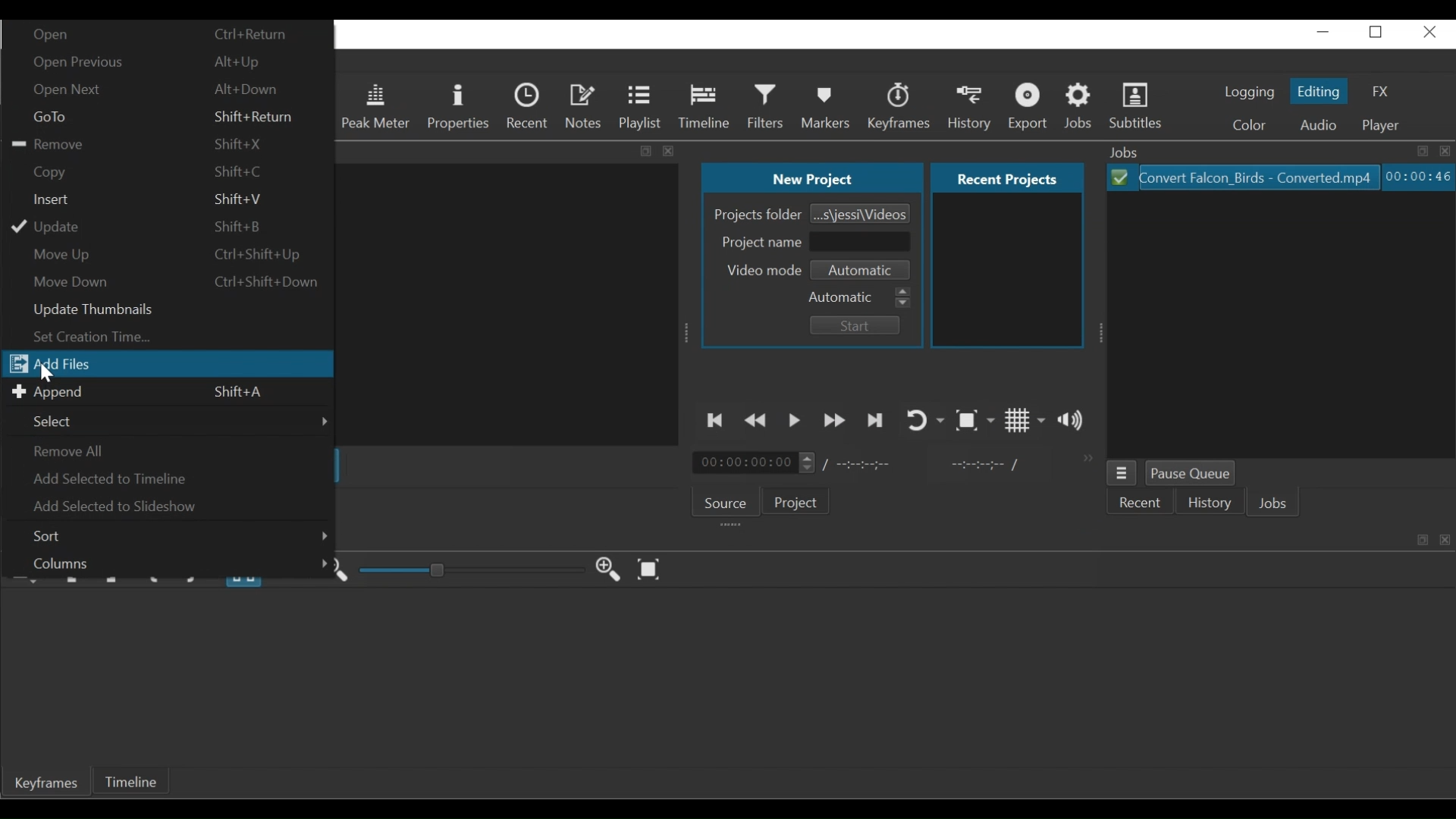  What do you see at coordinates (1138, 106) in the screenshot?
I see `Subtitles` at bounding box center [1138, 106].